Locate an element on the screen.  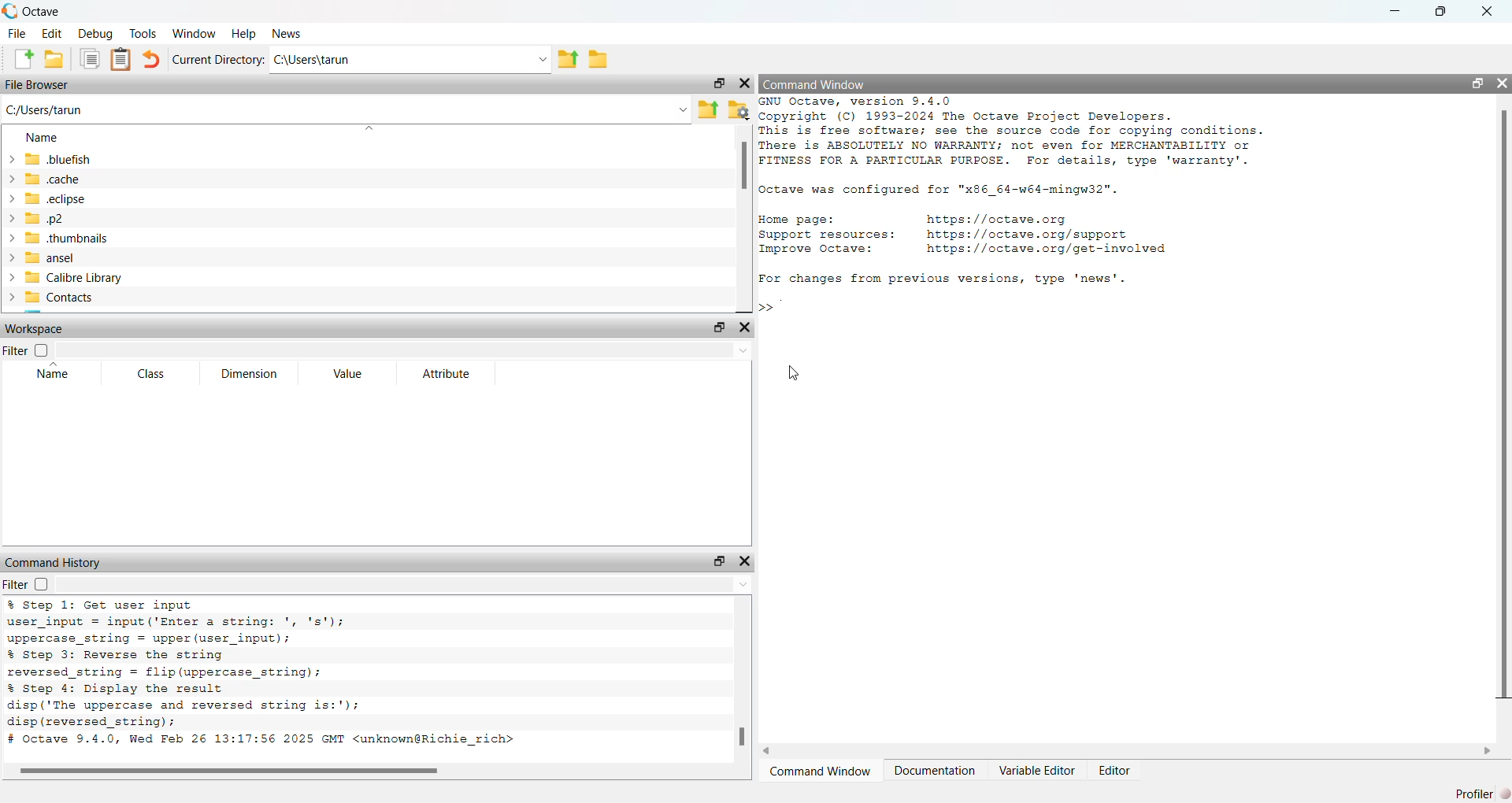
For changes from previous versions, type 'news'. is located at coordinates (947, 279).